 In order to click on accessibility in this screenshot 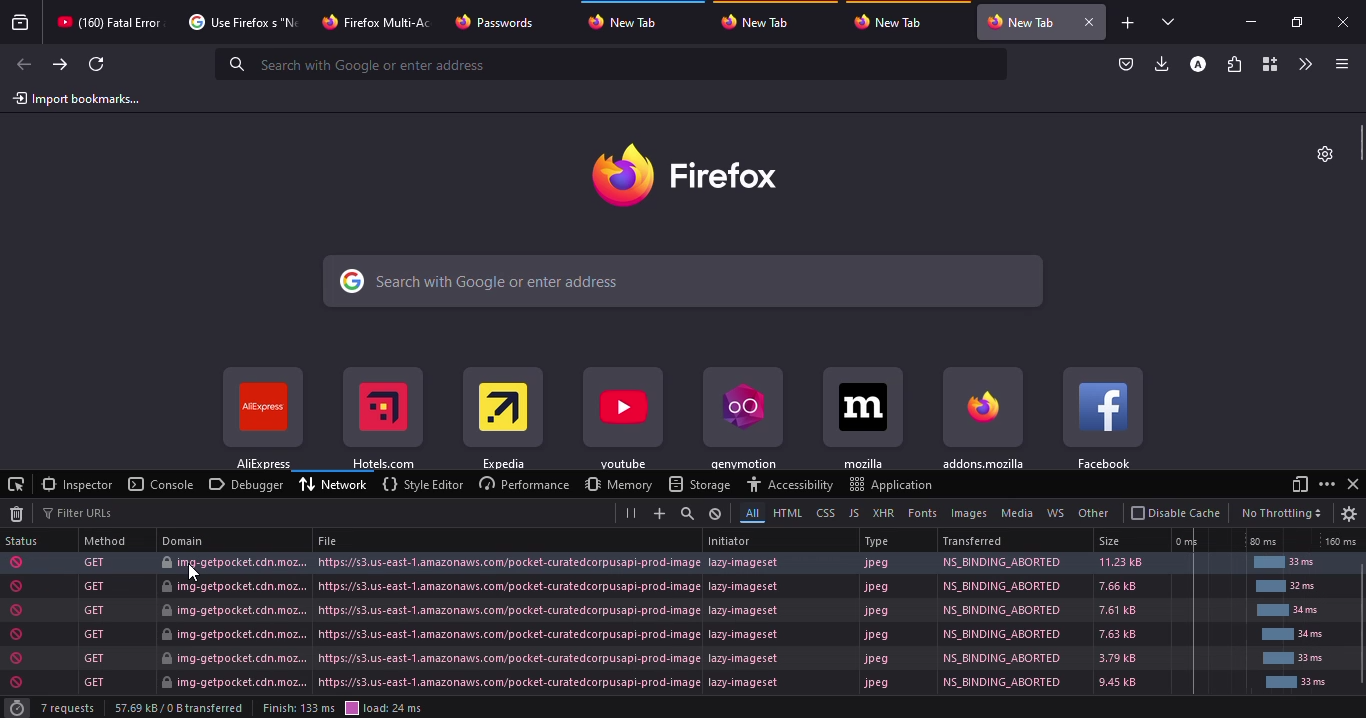, I will do `click(790, 484)`.